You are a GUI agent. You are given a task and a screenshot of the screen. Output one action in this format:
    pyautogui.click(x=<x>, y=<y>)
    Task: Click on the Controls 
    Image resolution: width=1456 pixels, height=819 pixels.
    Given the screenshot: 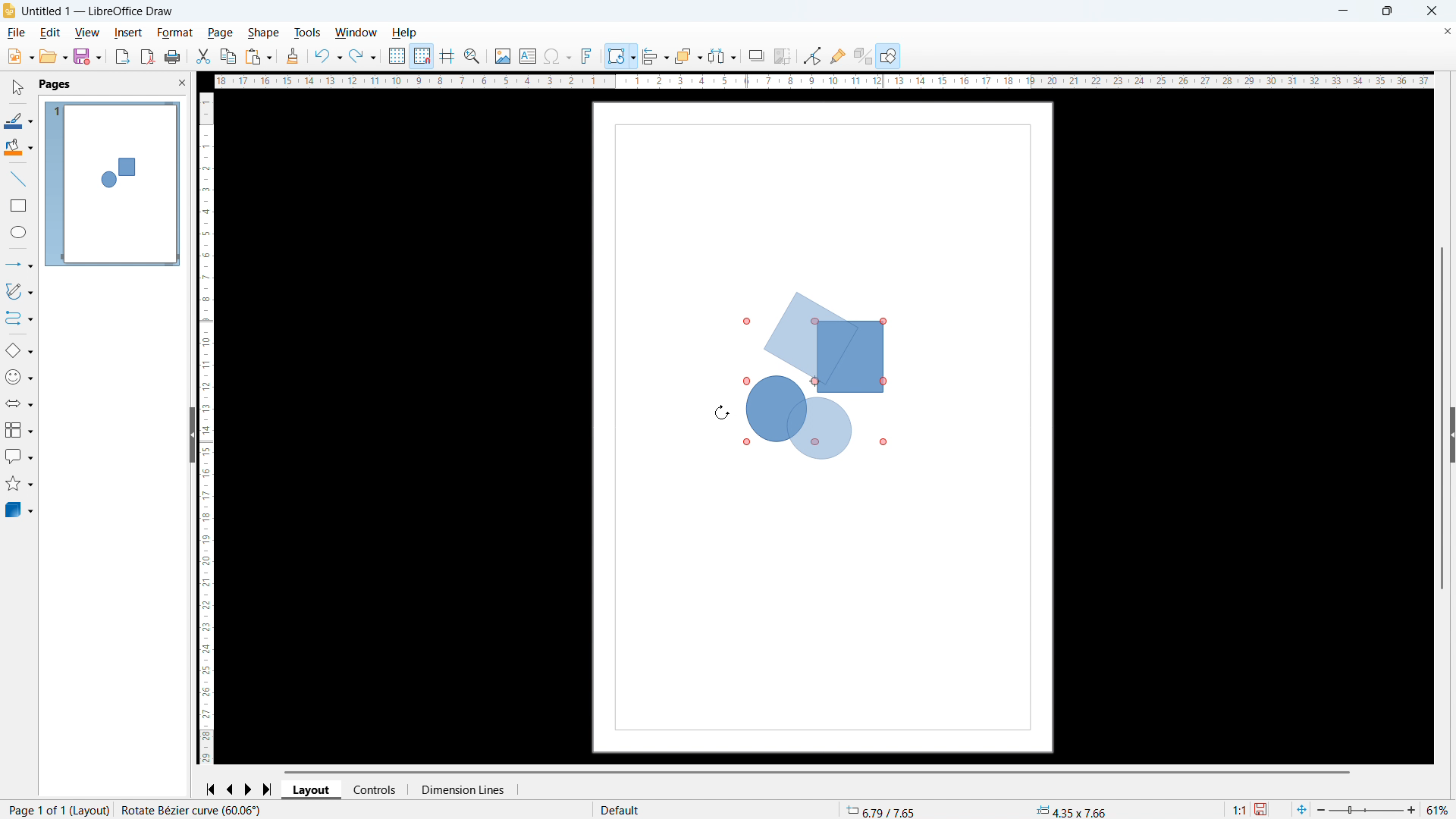 What is the action you would take?
    pyautogui.click(x=377, y=789)
    